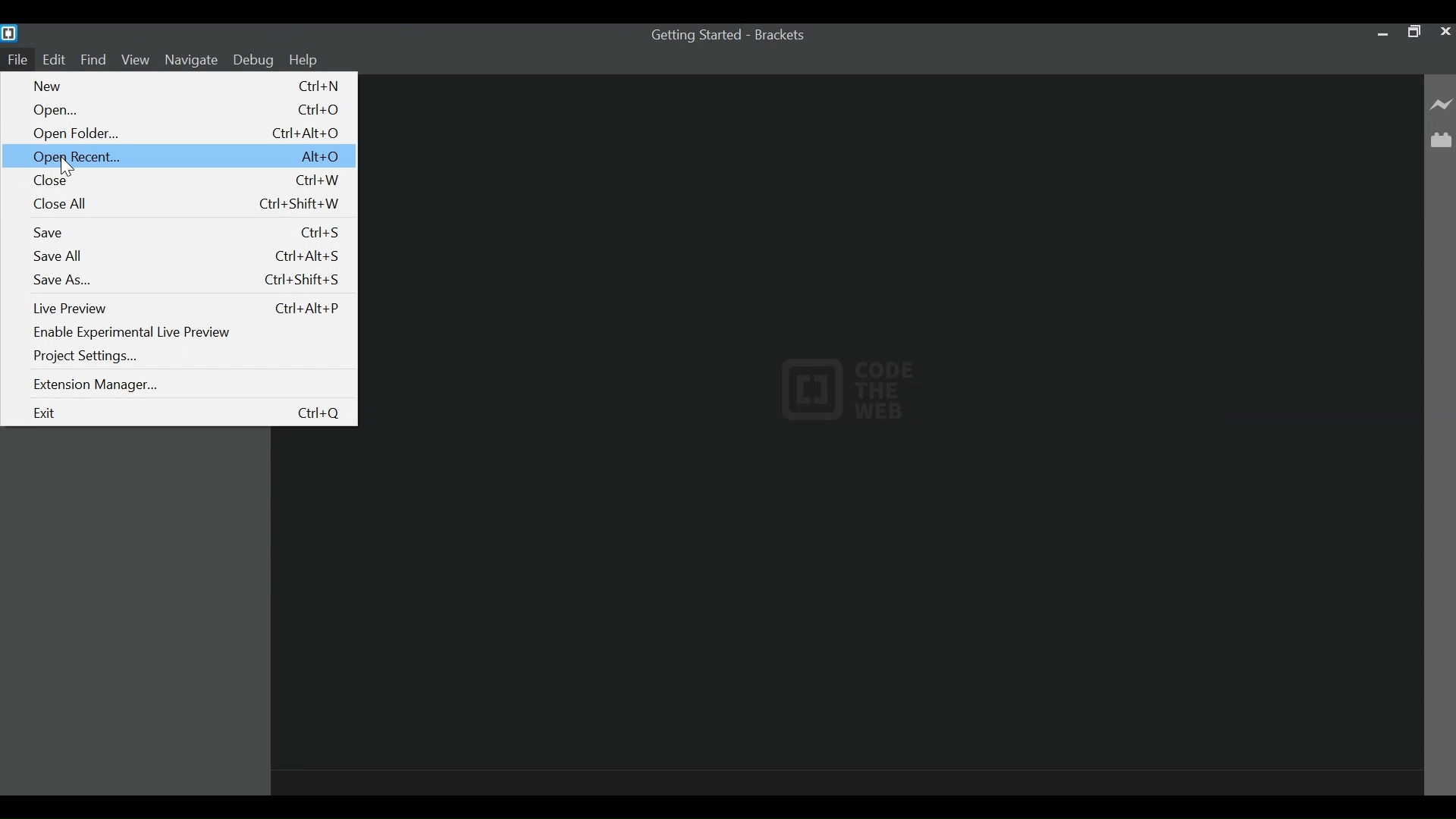 The image size is (1456, 819). Describe the element at coordinates (190, 205) in the screenshot. I see `Close All` at that location.